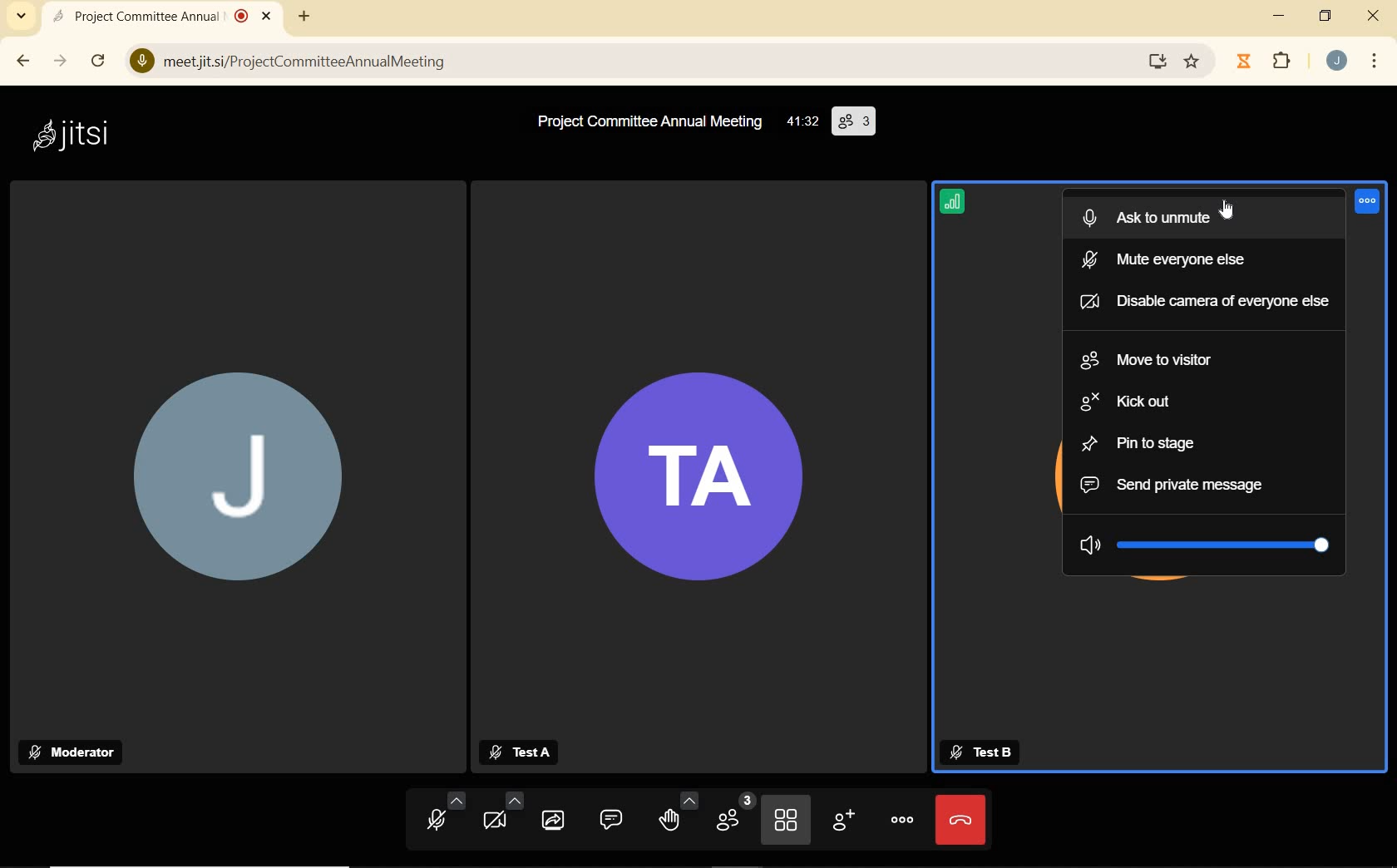 Image resolution: width=1397 pixels, height=868 pixels. I want to click on Jibble, so click(1246, 63).